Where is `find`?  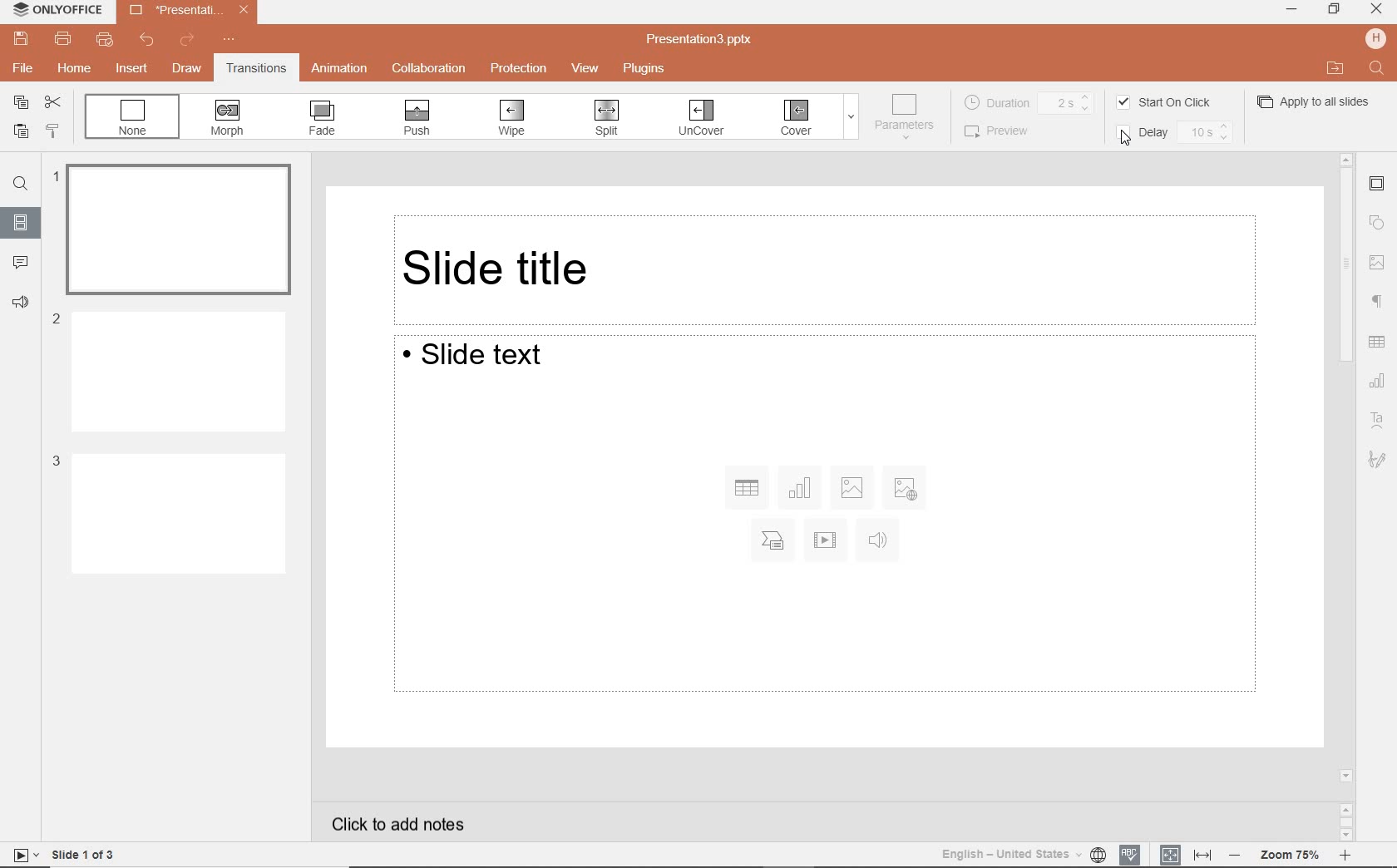 find is located at coordinates (21, 186).